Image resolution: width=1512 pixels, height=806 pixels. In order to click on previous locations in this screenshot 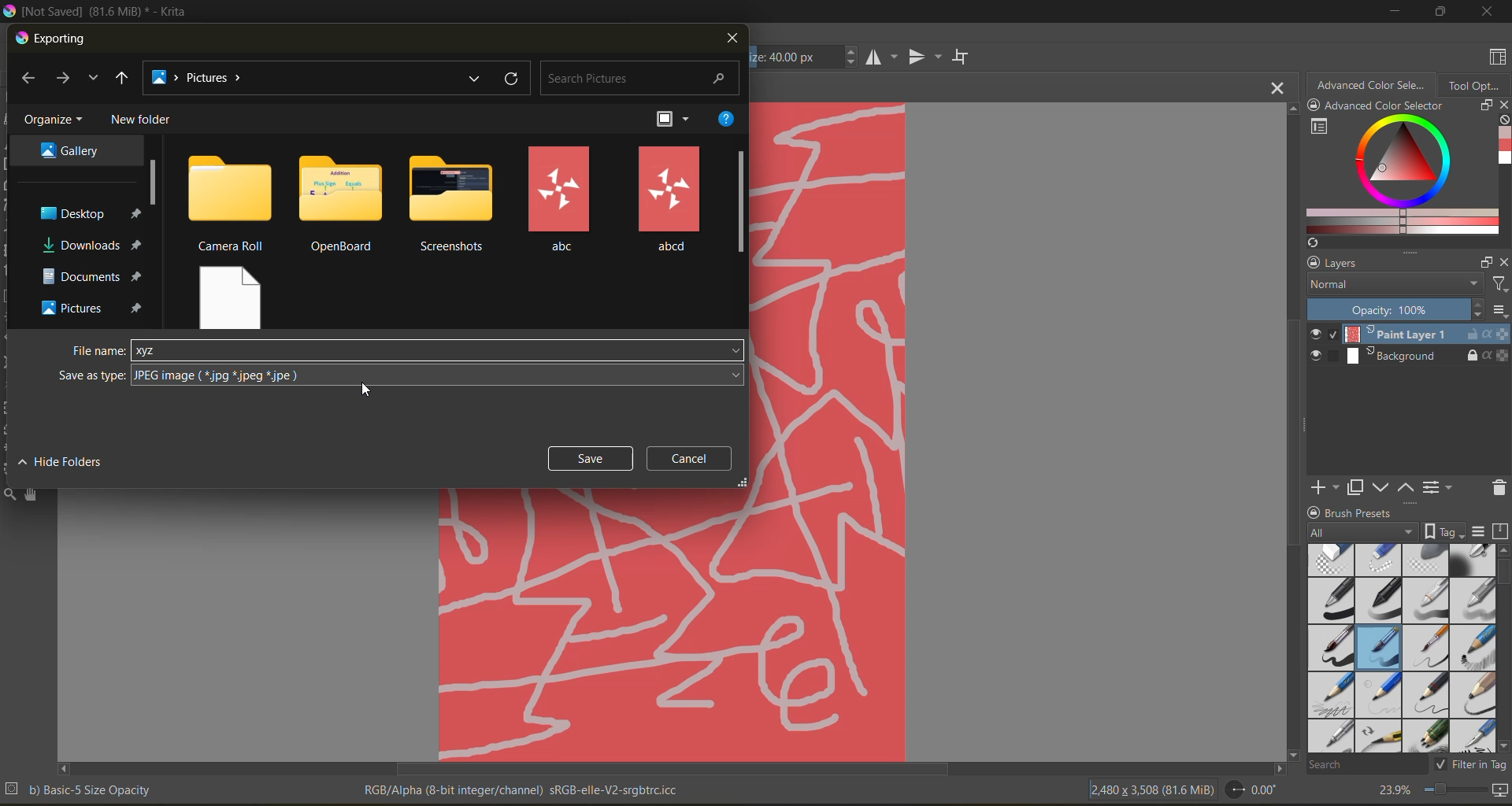, I will do `click(476, 78)`.